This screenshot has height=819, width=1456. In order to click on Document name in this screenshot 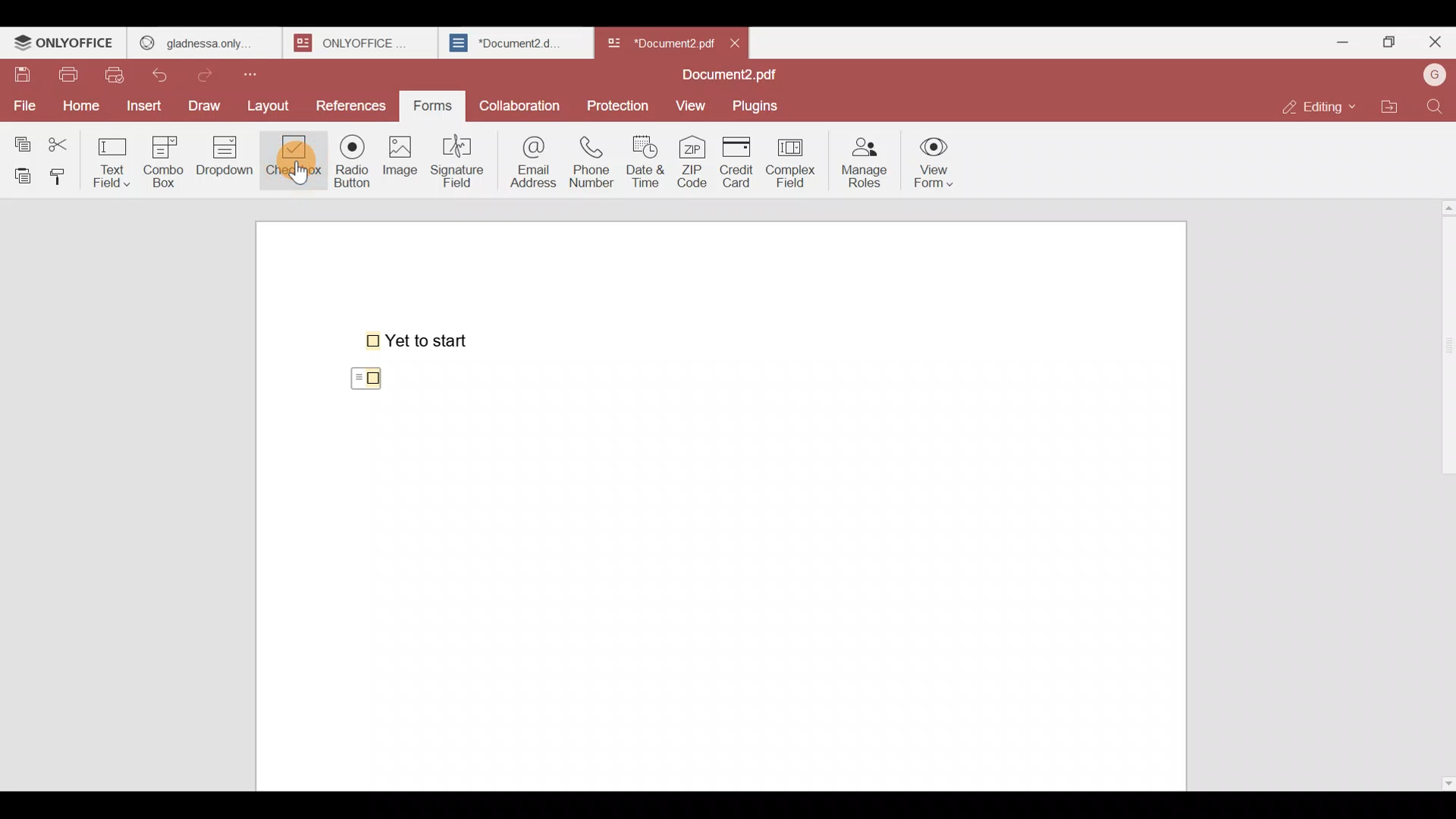, I will do `click(659, 39)`.